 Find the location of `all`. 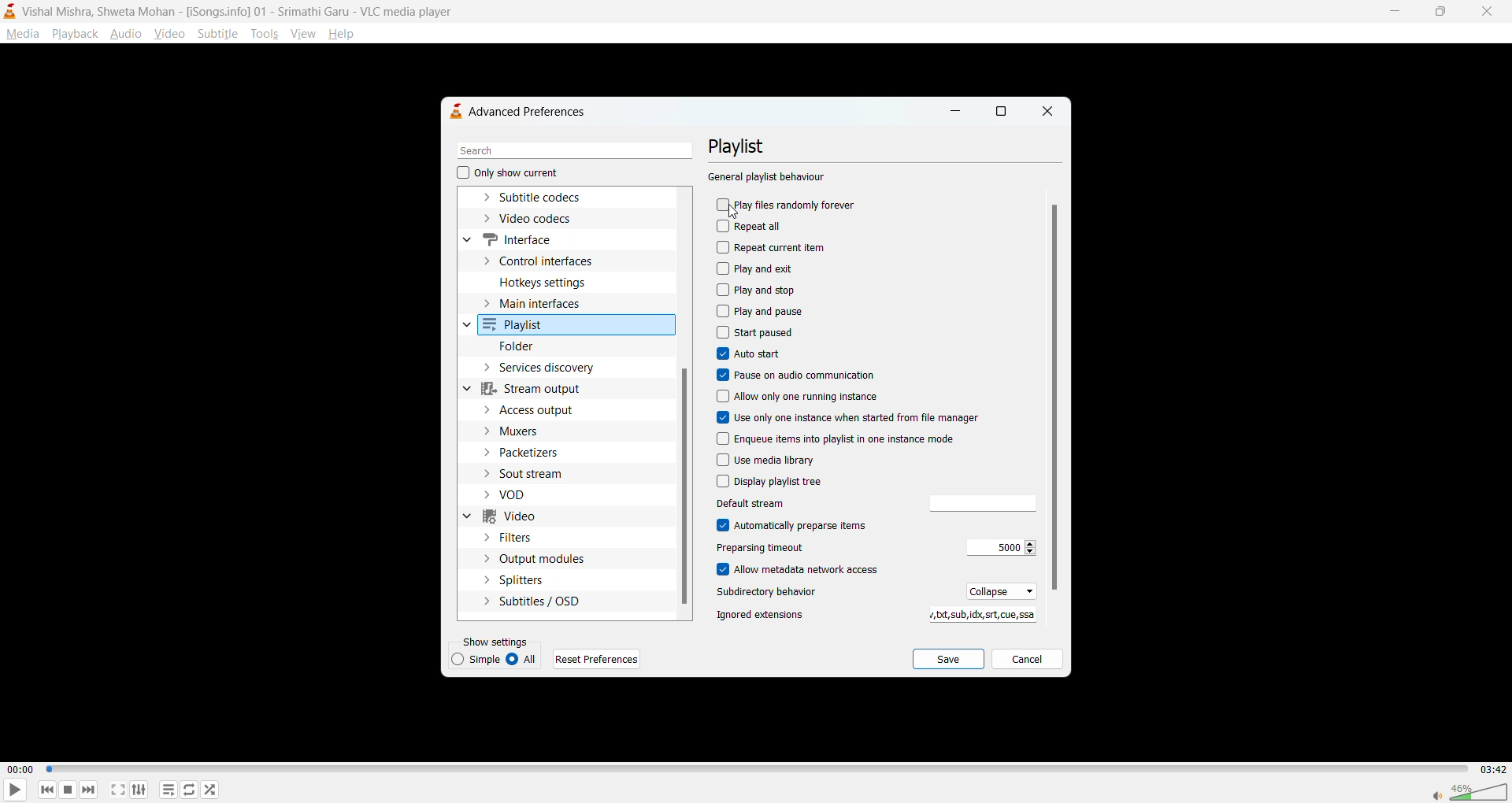

all is located at coordinates (525, 660).